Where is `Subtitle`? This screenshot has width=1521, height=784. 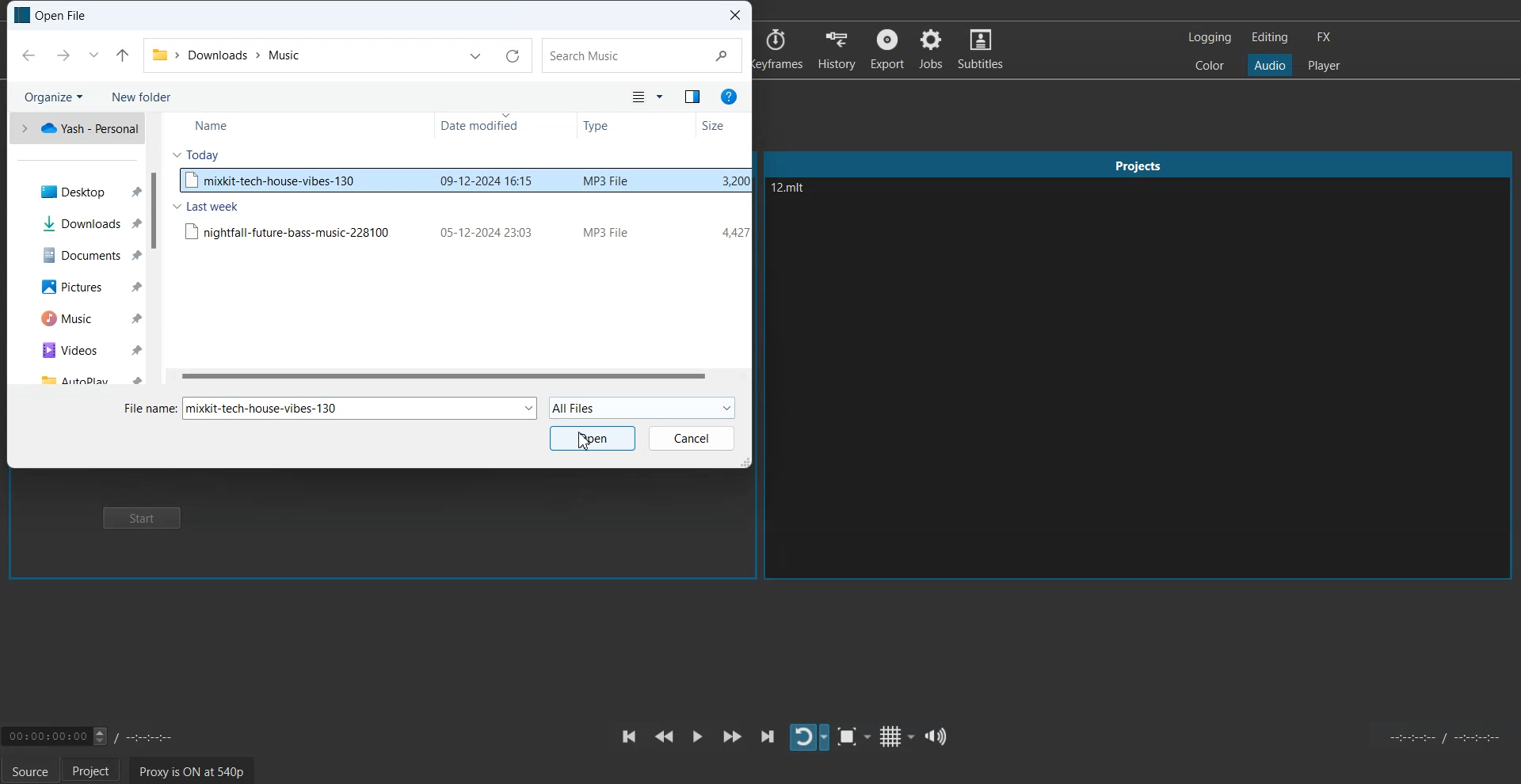
Subtitle is located at coordinates (982, 48).